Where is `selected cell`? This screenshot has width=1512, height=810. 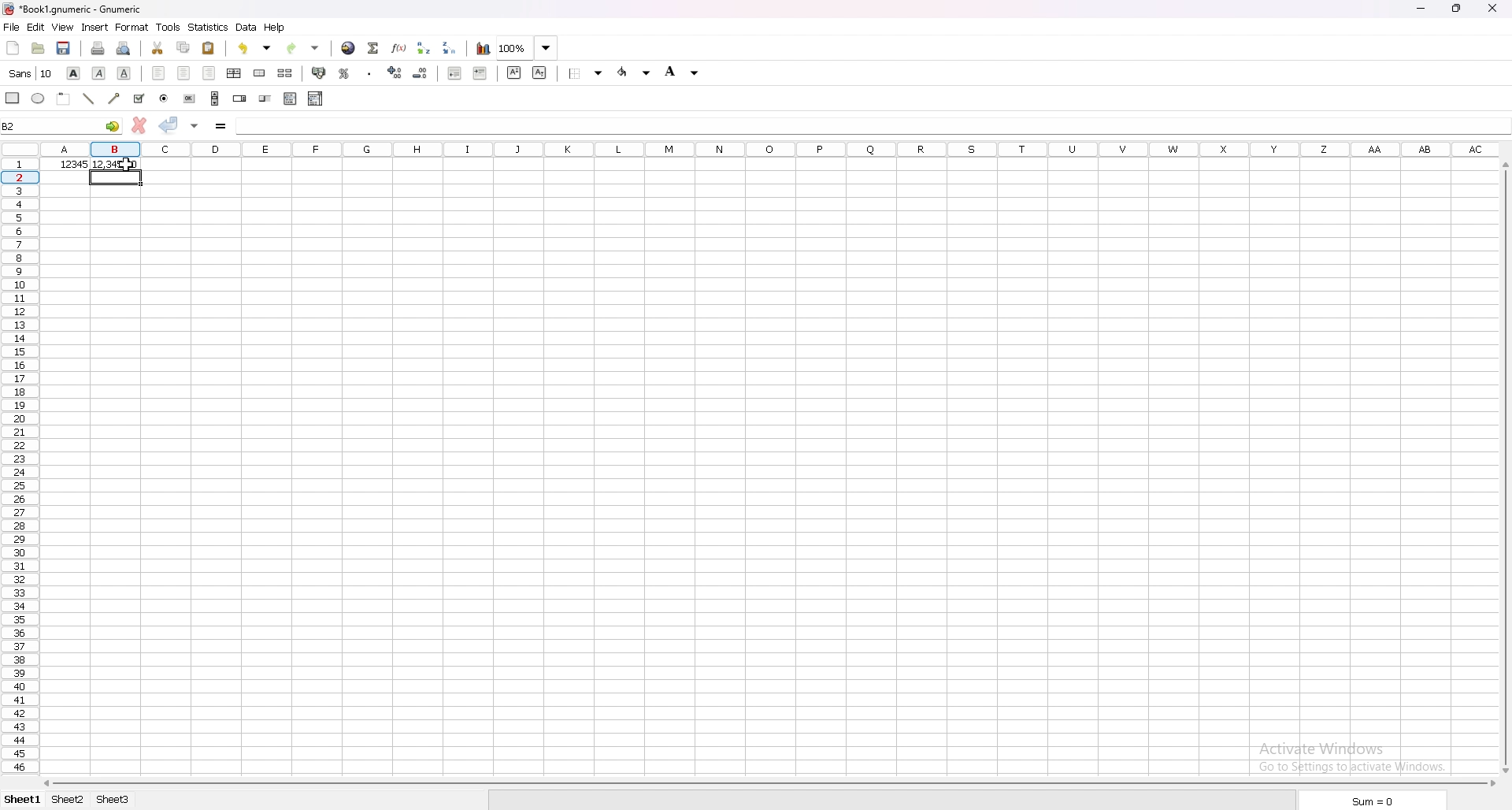 selected cell is located at coordinates (88, 127).